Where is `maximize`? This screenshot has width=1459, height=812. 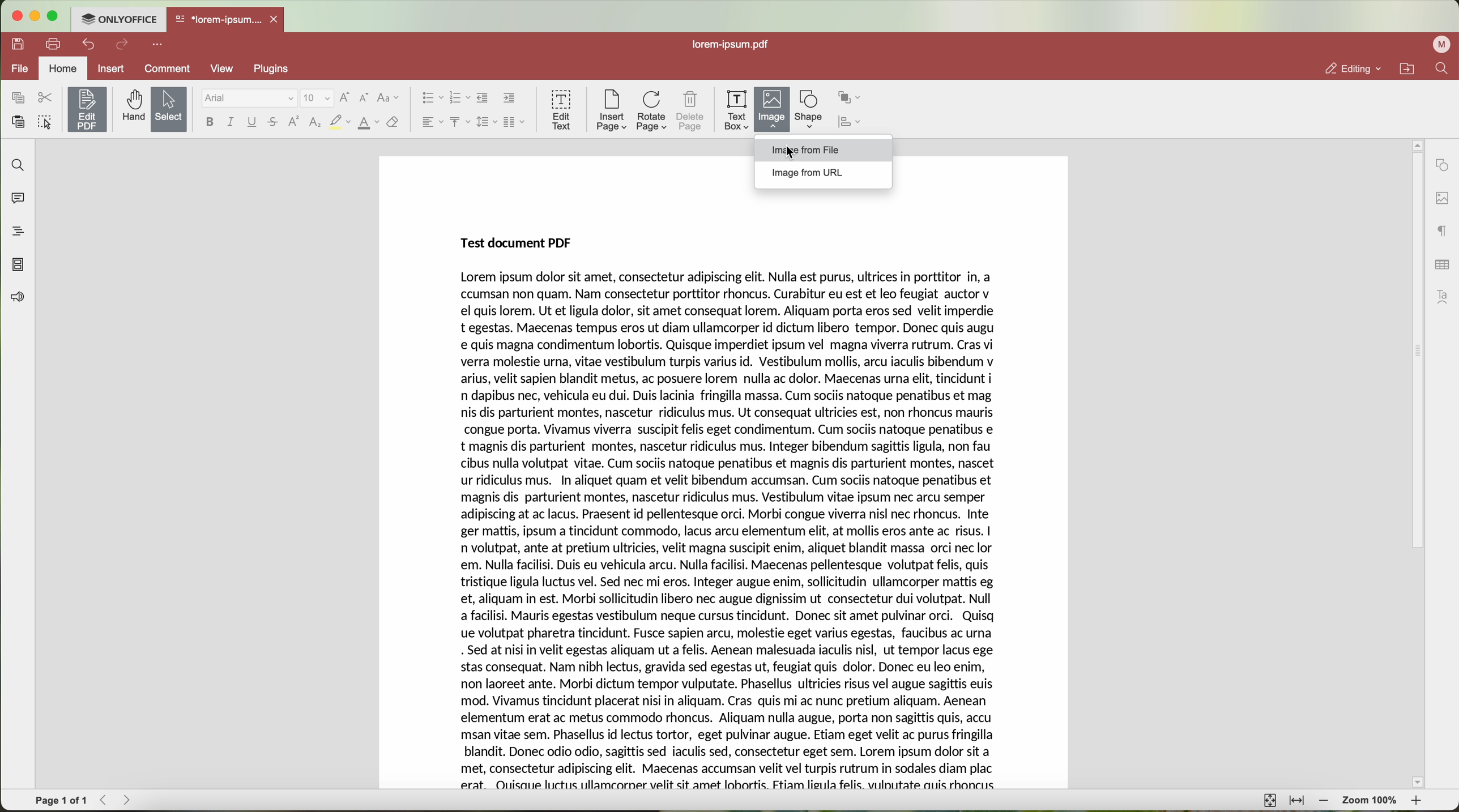 maximize is located at coordinates (54, 16).